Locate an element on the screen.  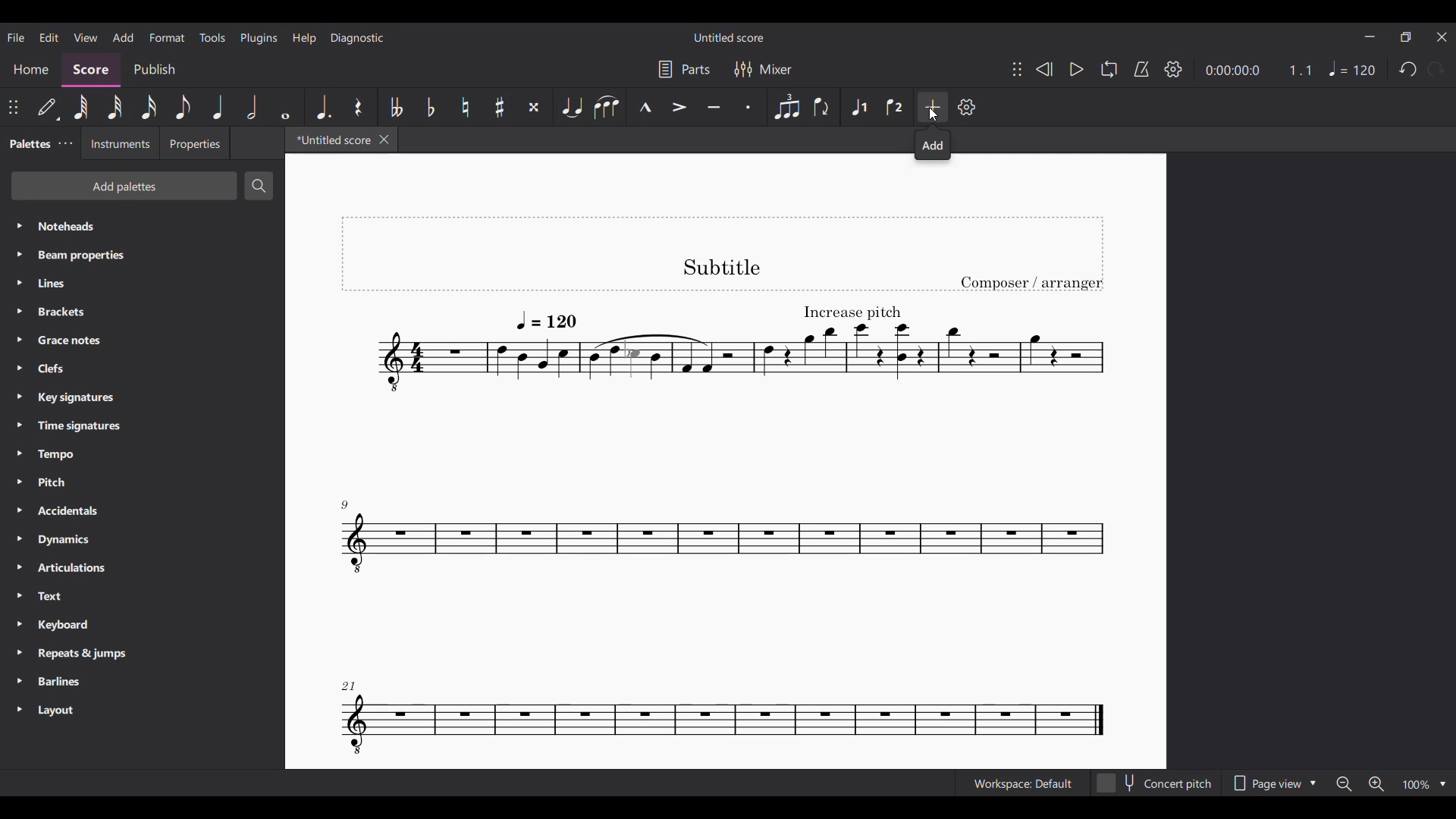
Home section is located at coordinates (31, 70).